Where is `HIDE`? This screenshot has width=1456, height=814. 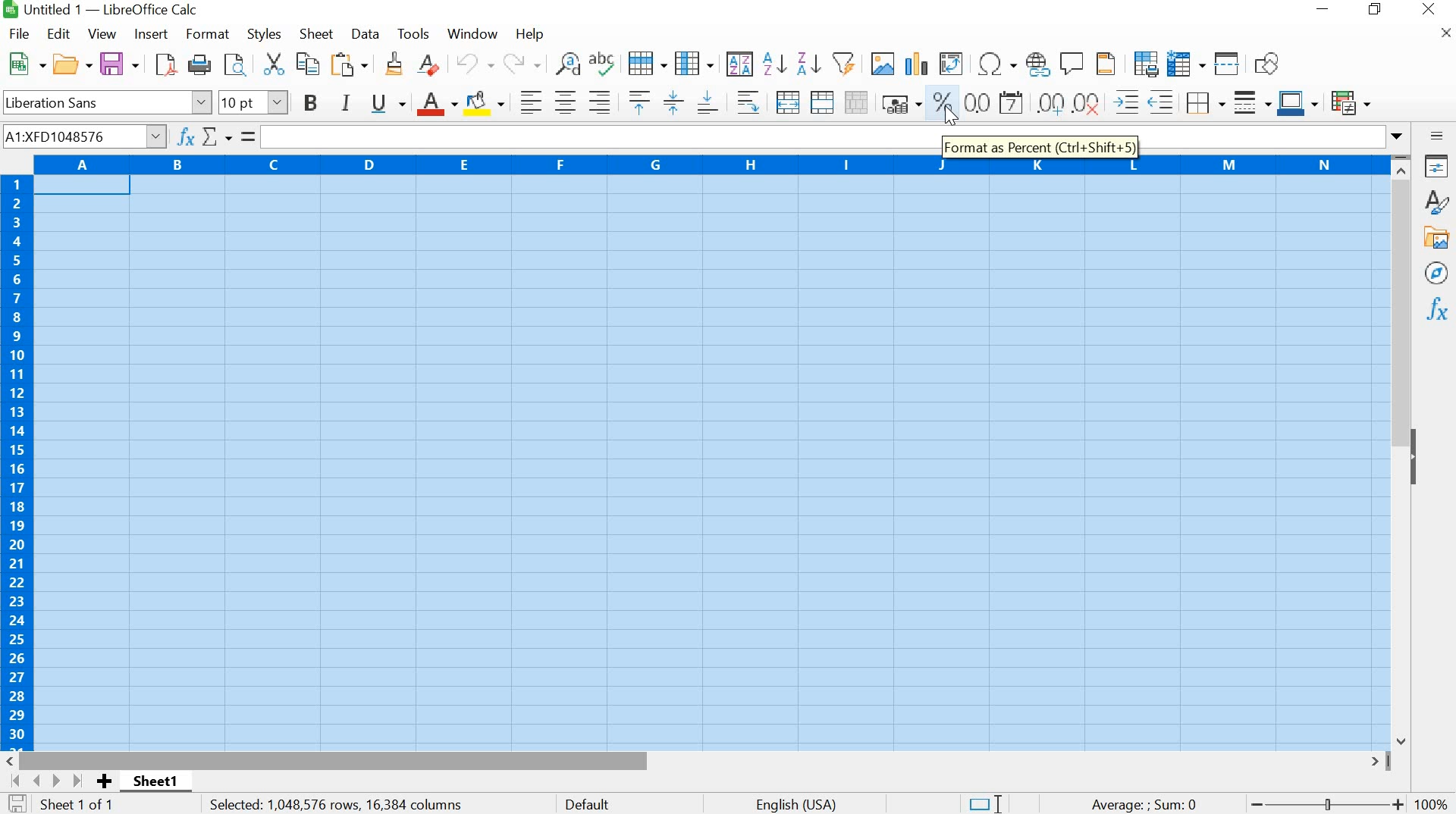 HIDE is located at coordinates (1418, 452).